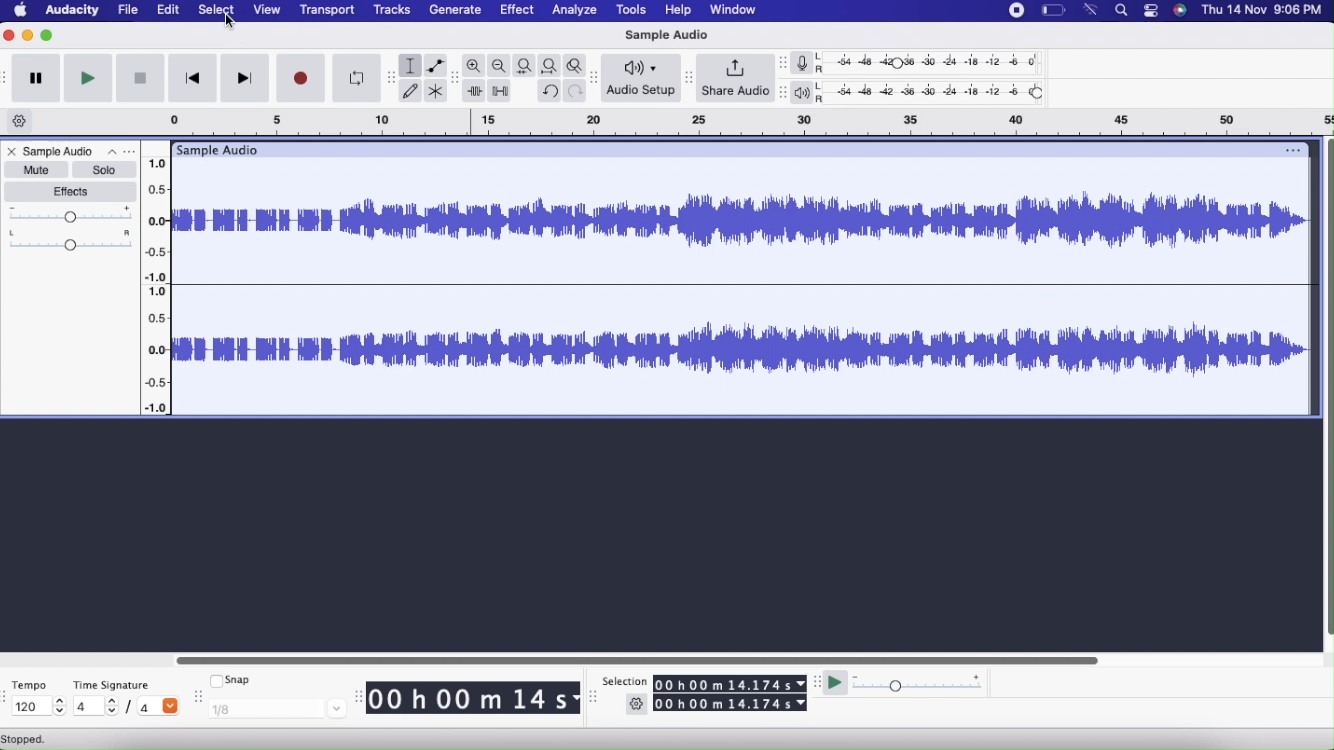 The width and height of the screenshot is (1334, 750). Describe the element at coordinates (1055, 10) in the screenshot. I see `Battery level` at that location.